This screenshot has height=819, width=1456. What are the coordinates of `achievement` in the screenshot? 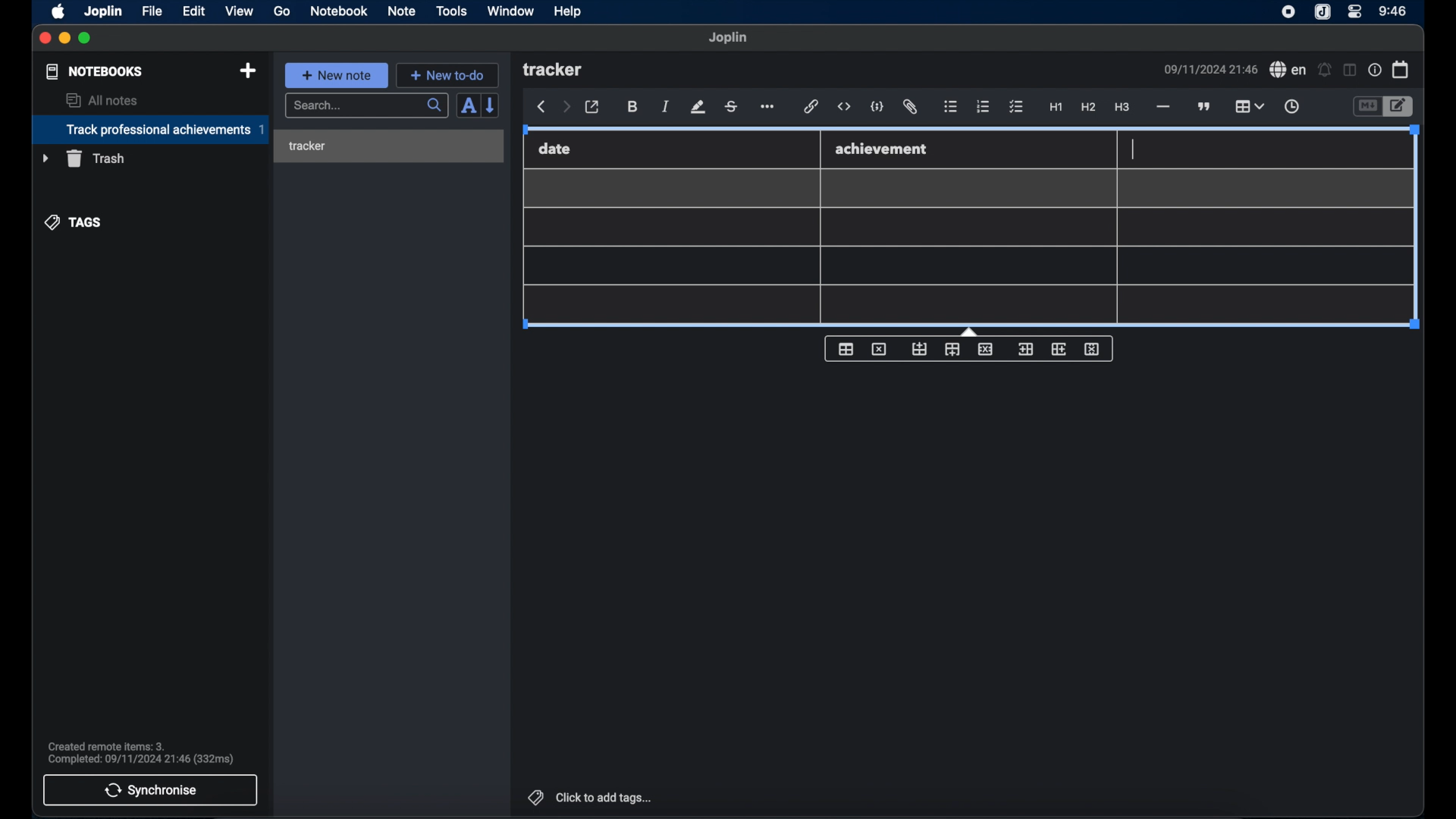 It's located at (883, 149).